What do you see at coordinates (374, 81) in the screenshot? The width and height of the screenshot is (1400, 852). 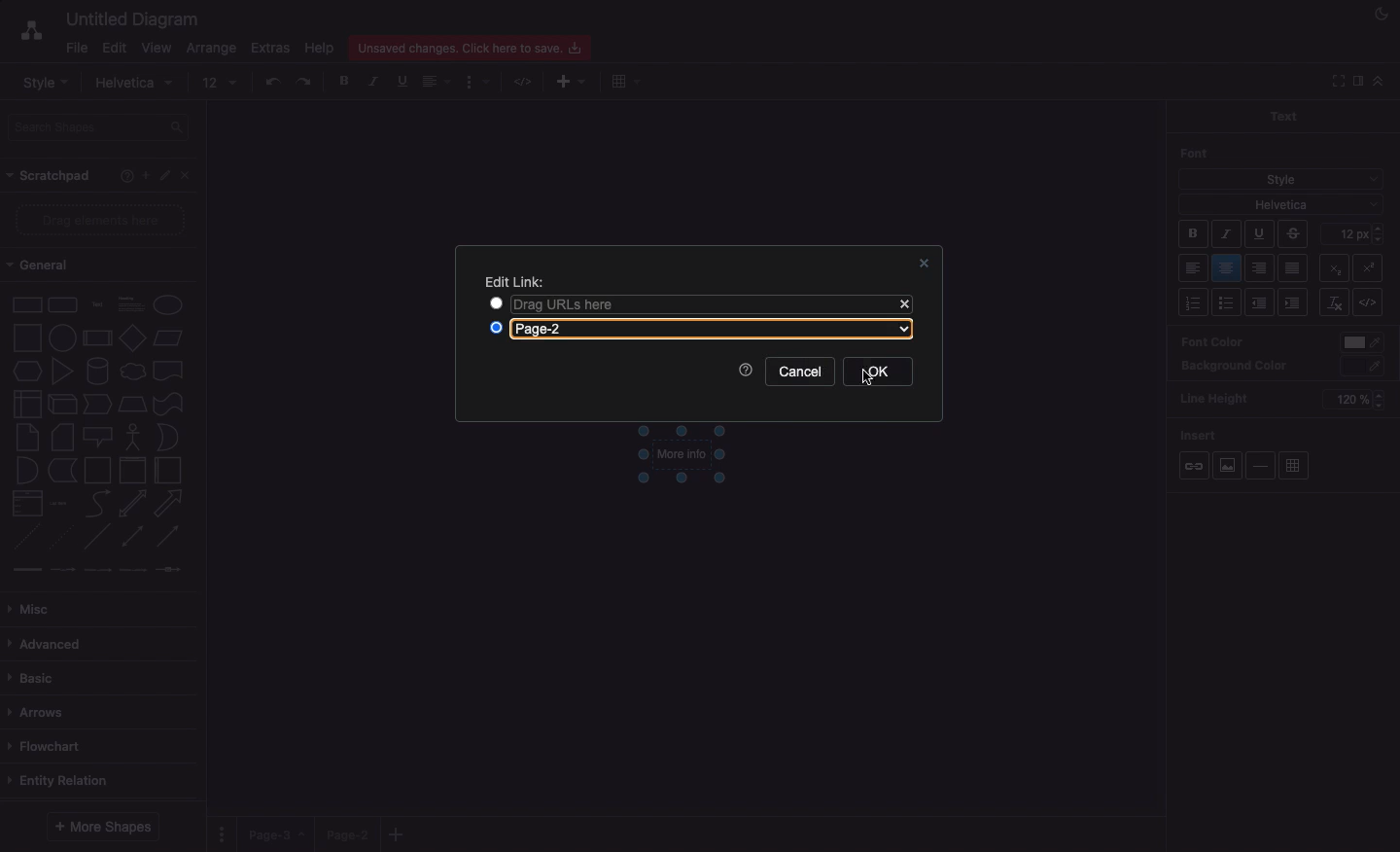 I see `Italics` at bounding box center [374, 81].